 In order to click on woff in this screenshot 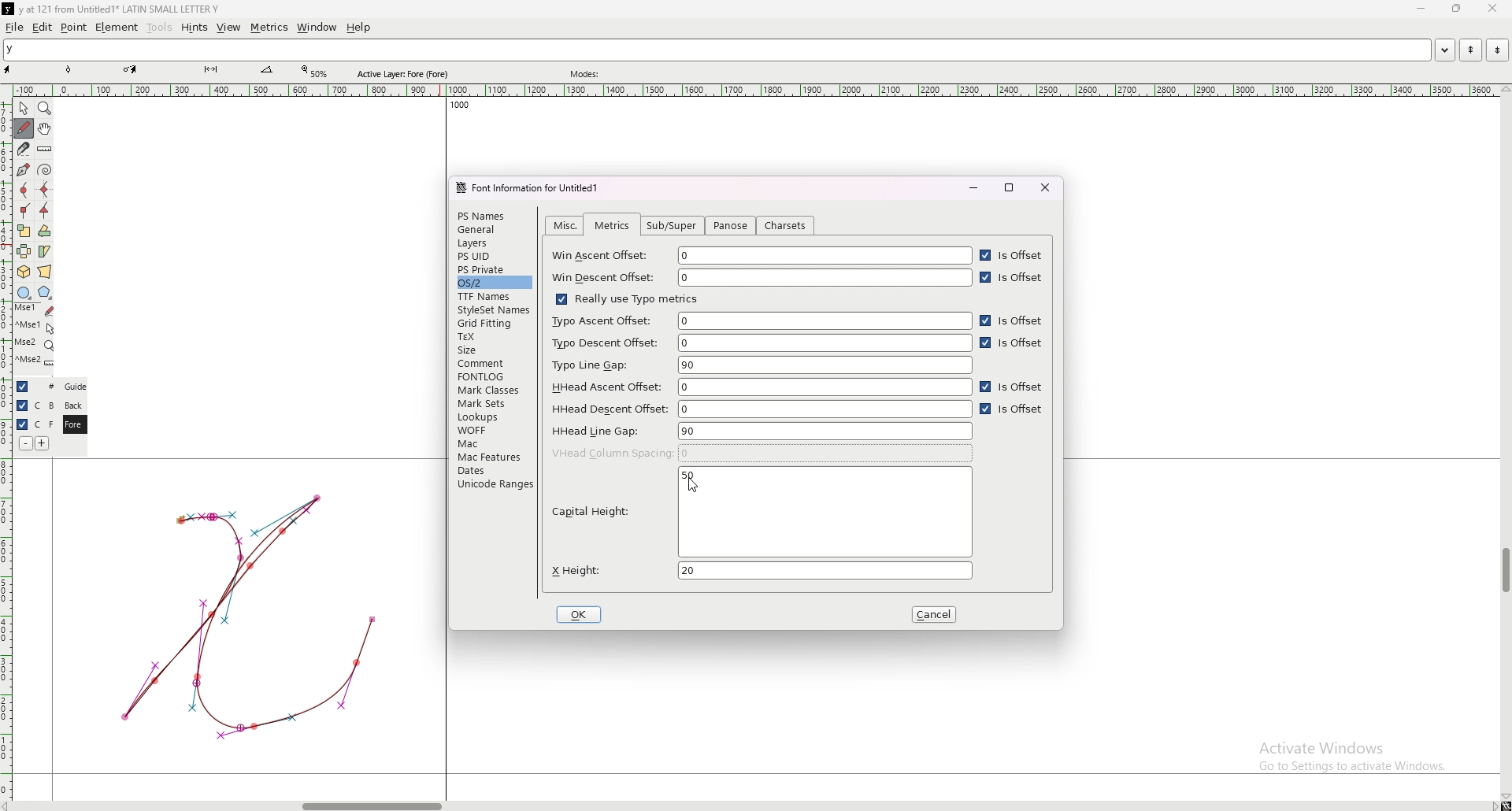, I will do `click(492, 430)`.